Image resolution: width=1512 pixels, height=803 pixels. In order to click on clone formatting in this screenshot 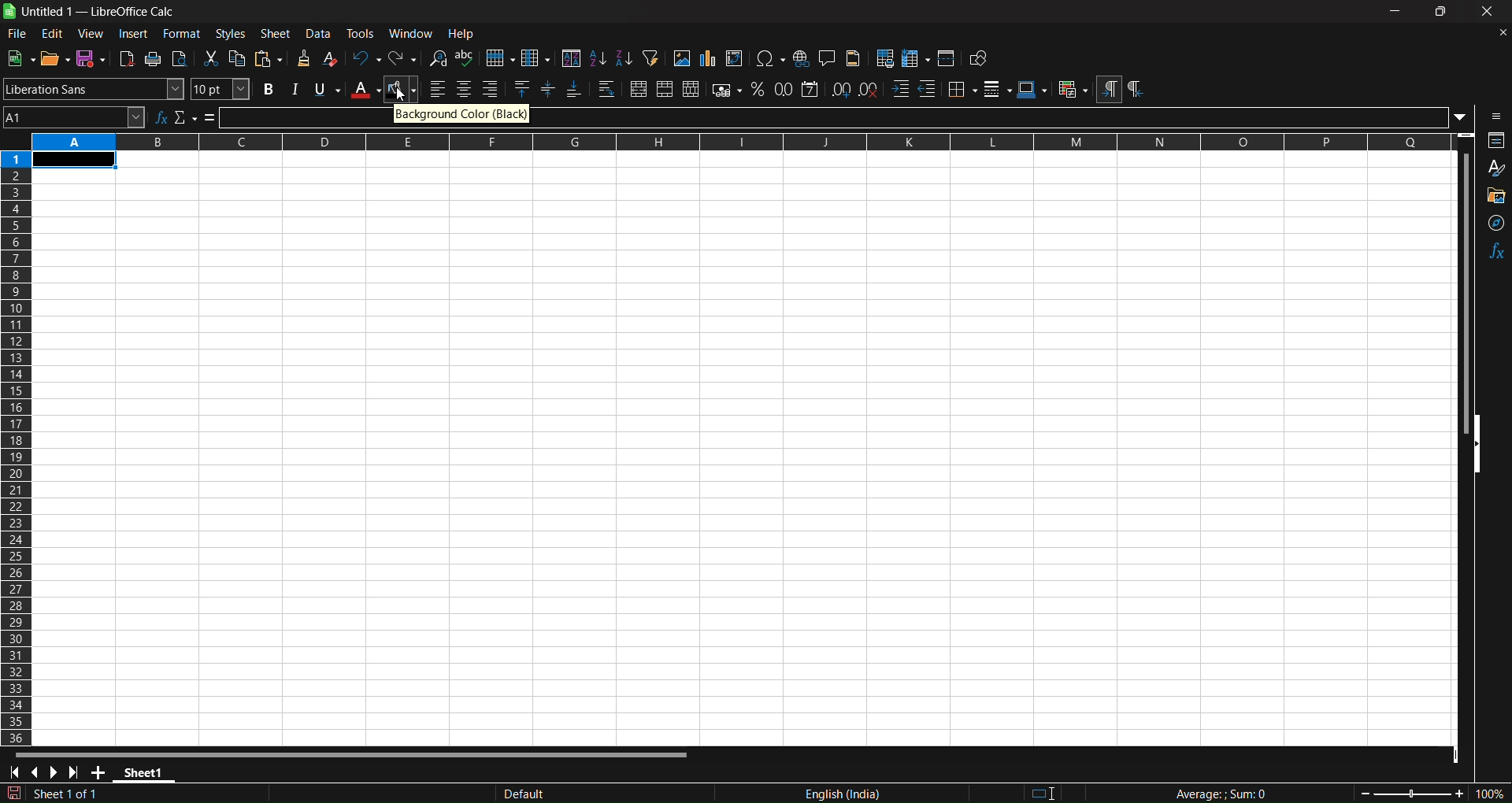, I will do `click(302, 57)`.